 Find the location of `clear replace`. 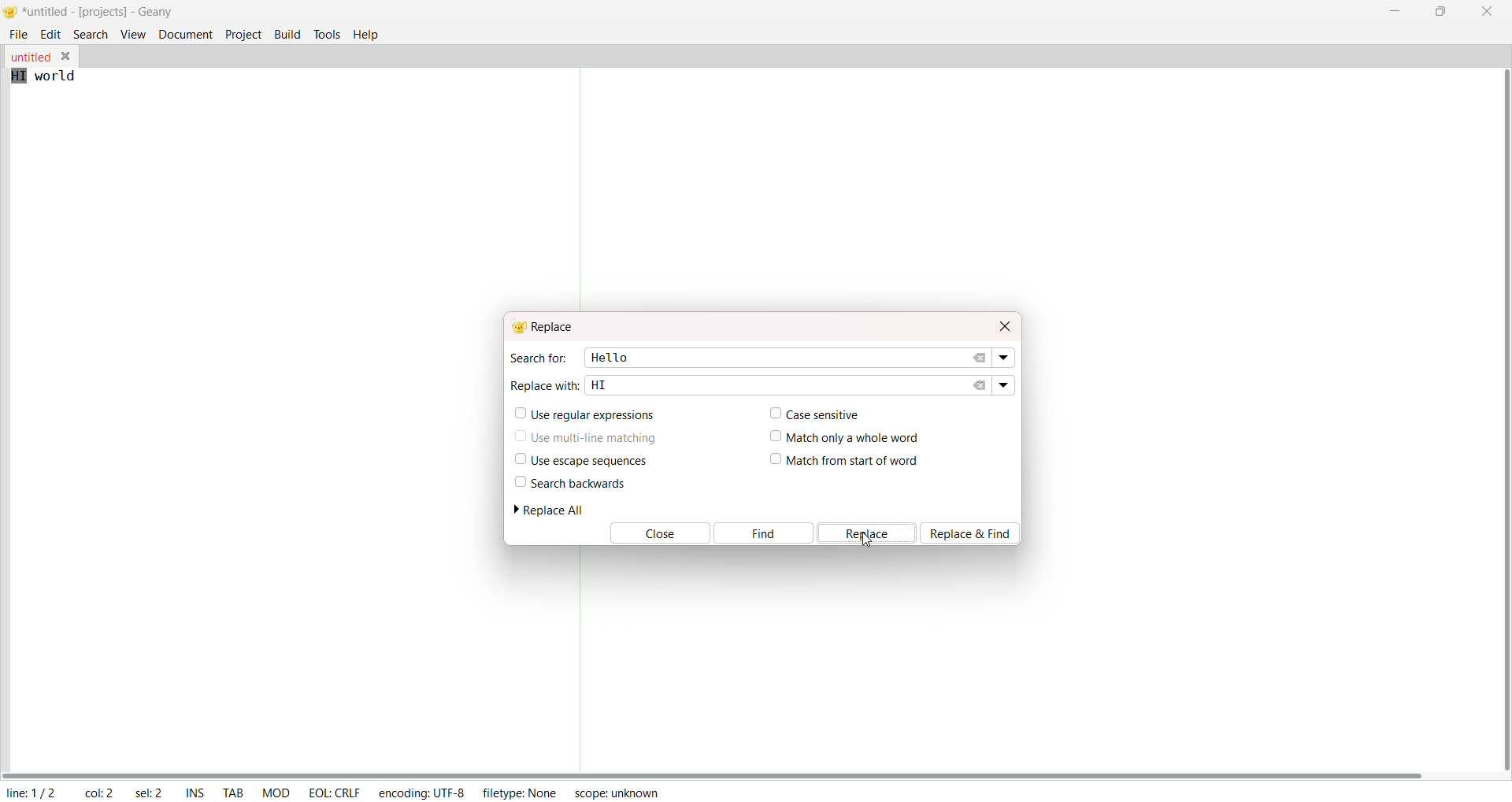

clear replace is located at coordinates (980, 385).